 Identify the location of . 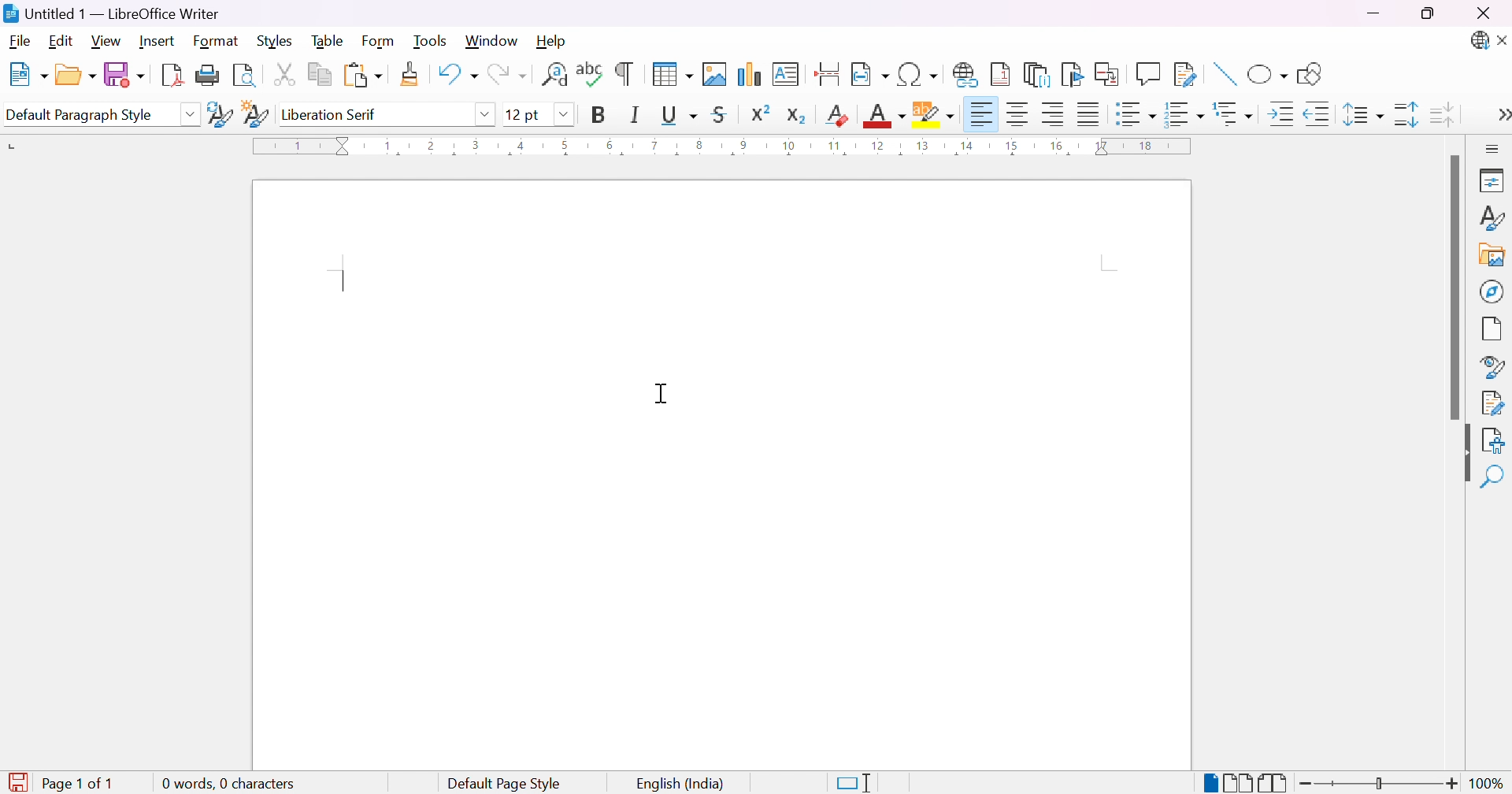
(556, 76).